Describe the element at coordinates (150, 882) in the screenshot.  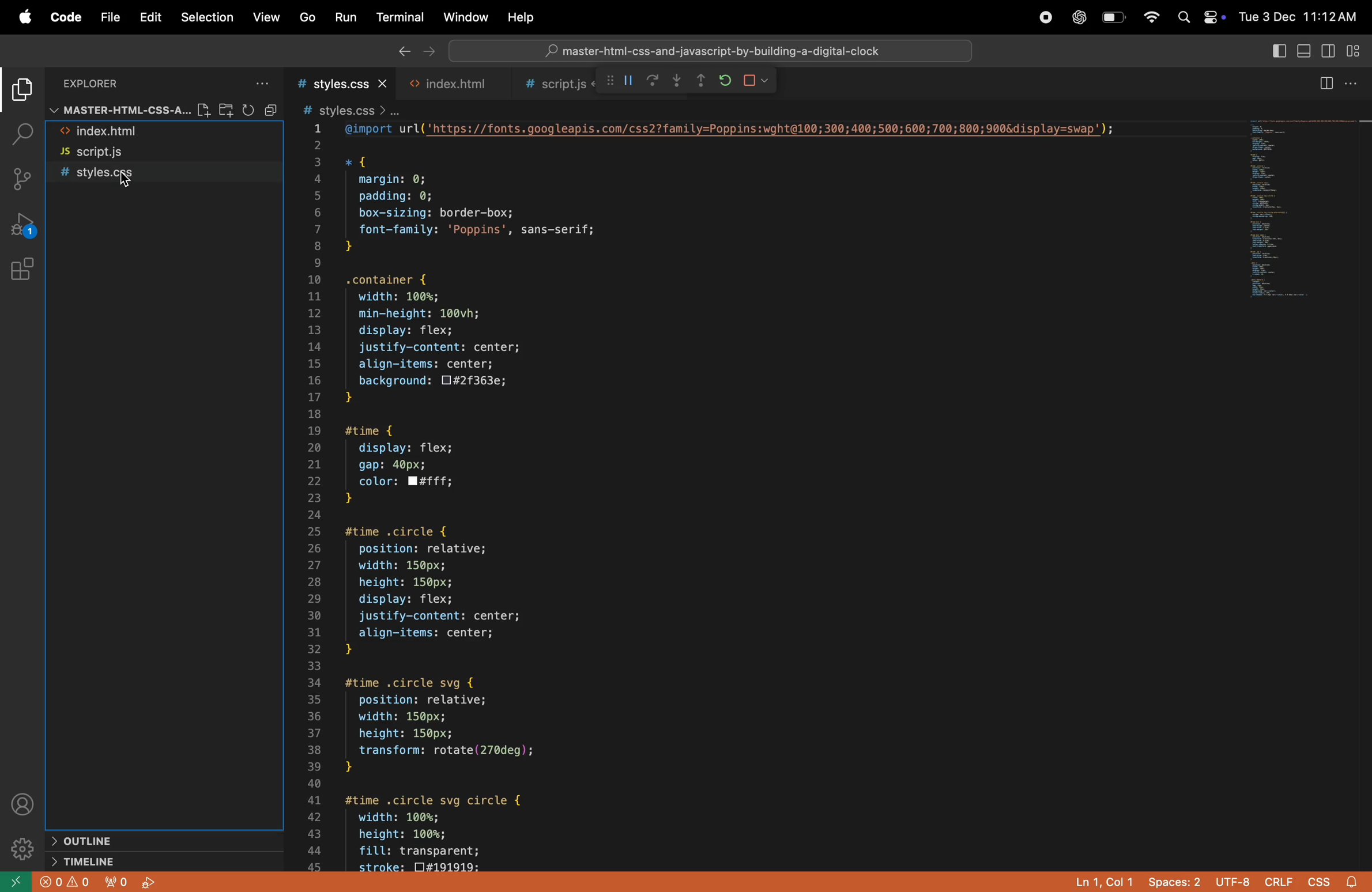
I see `start debug` at that location.